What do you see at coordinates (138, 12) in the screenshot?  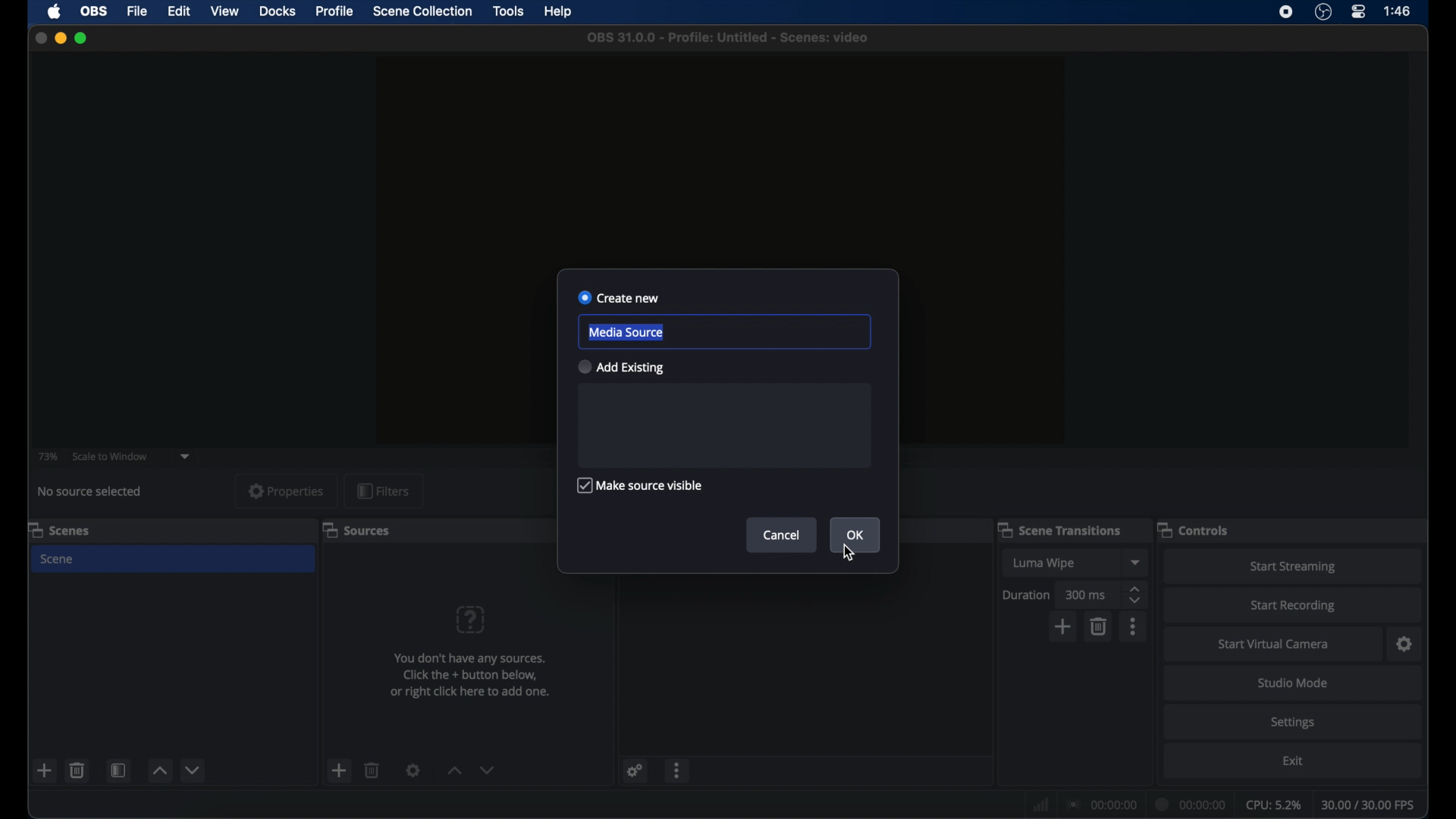 I see `file` at bounding box center [138, 12].